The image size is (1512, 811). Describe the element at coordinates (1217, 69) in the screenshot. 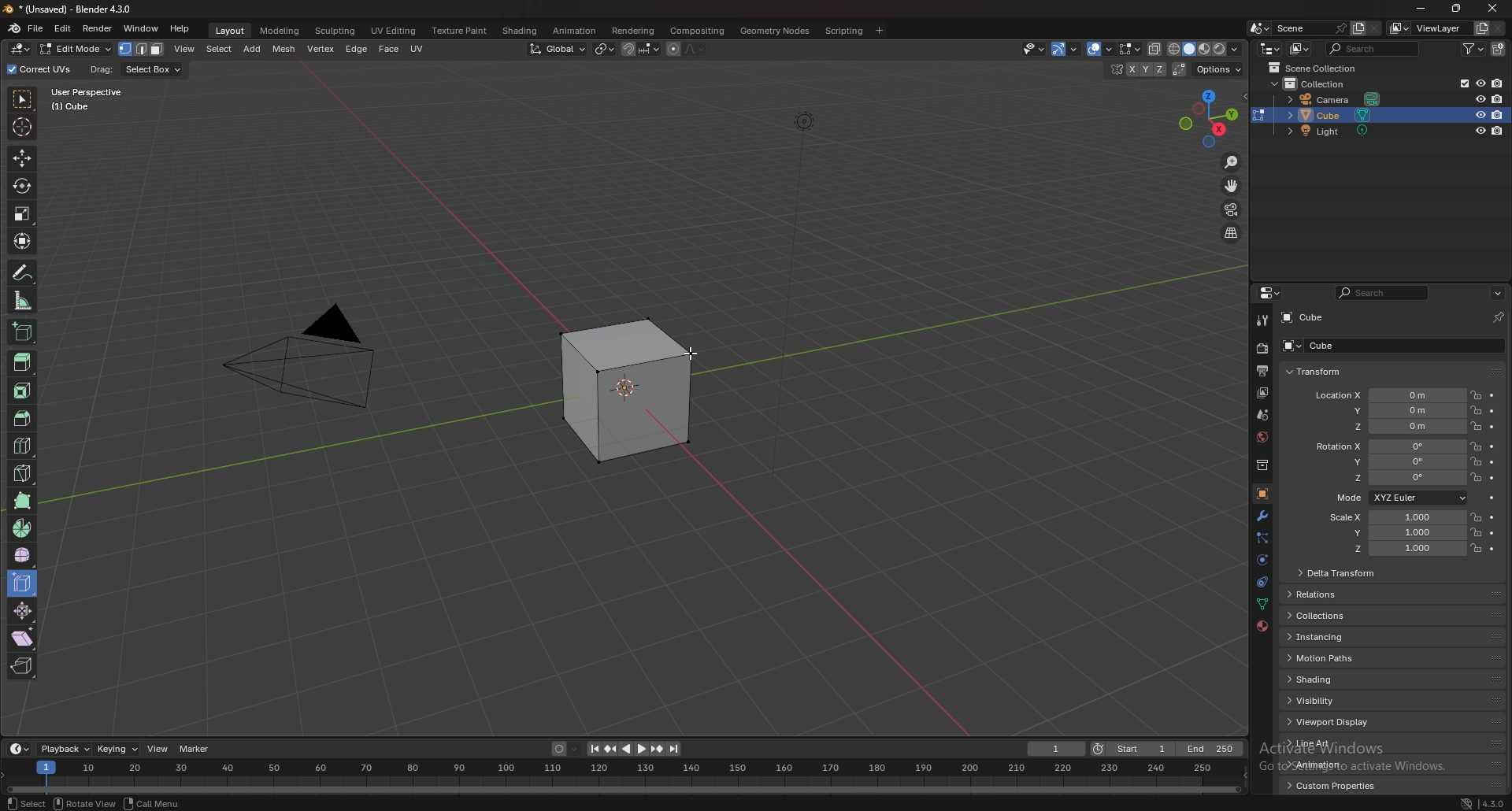

I see `options` at that location.